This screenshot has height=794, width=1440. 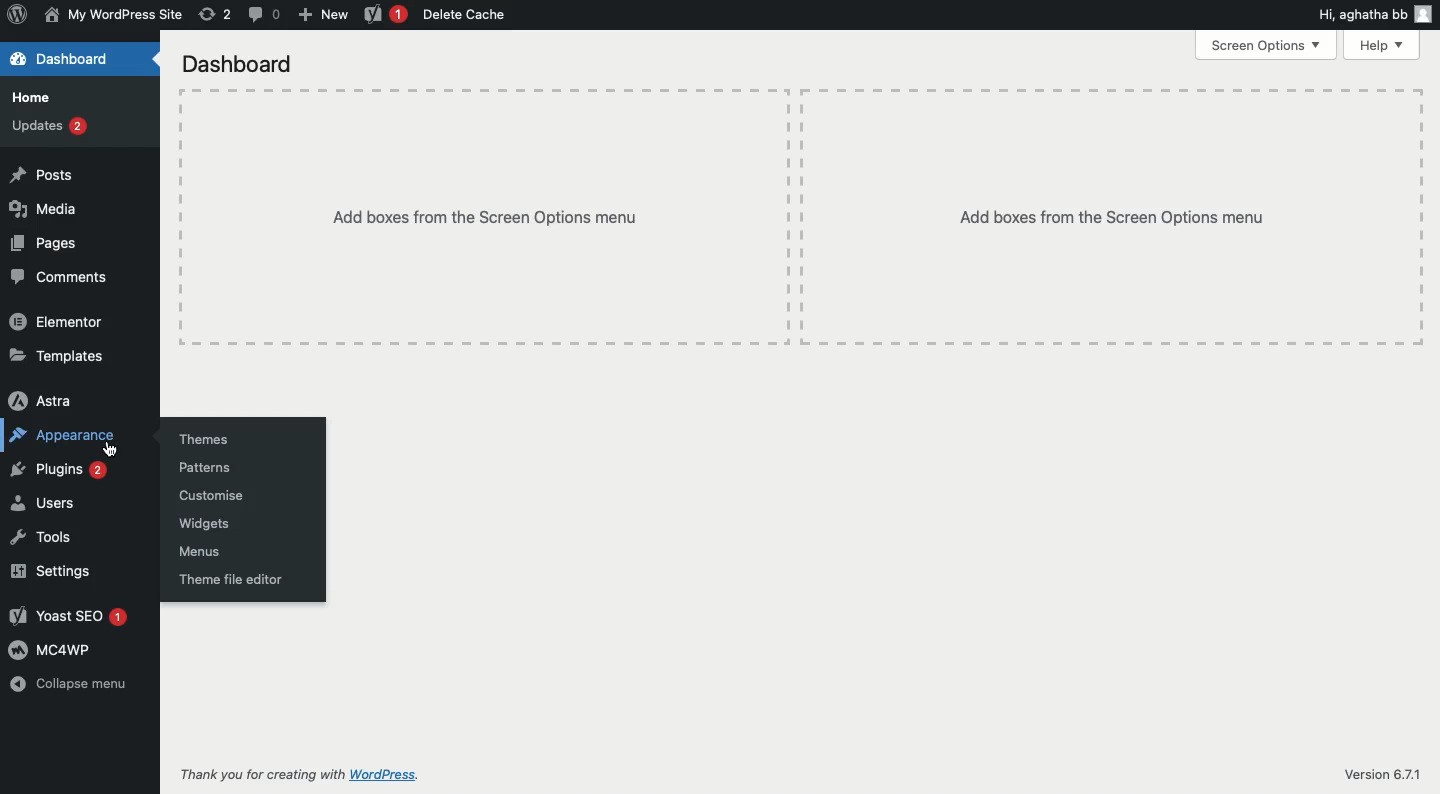 I want to click on Templates, so click(x=62, y=355).